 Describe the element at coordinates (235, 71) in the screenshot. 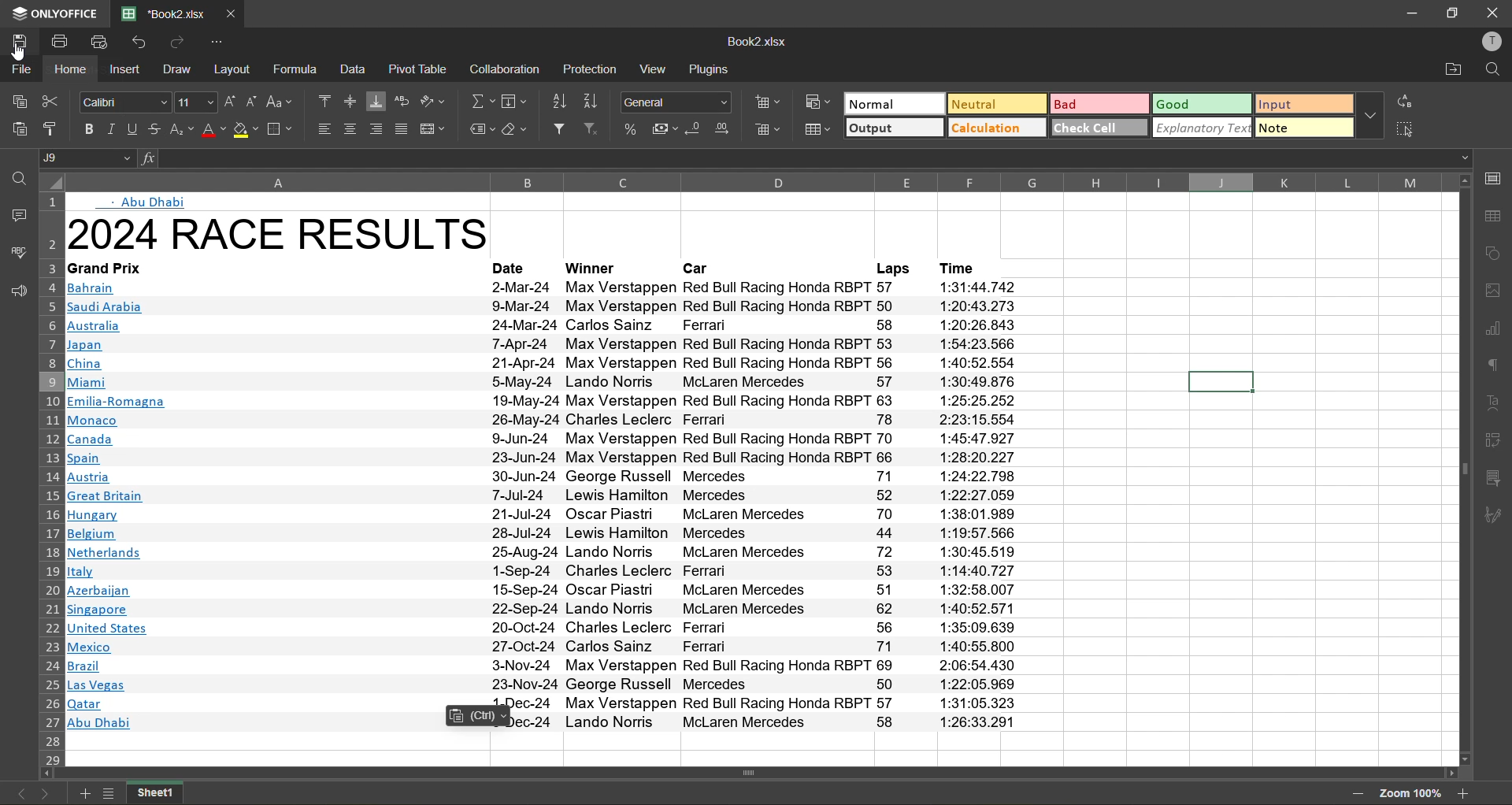

I see `layout` at that location.